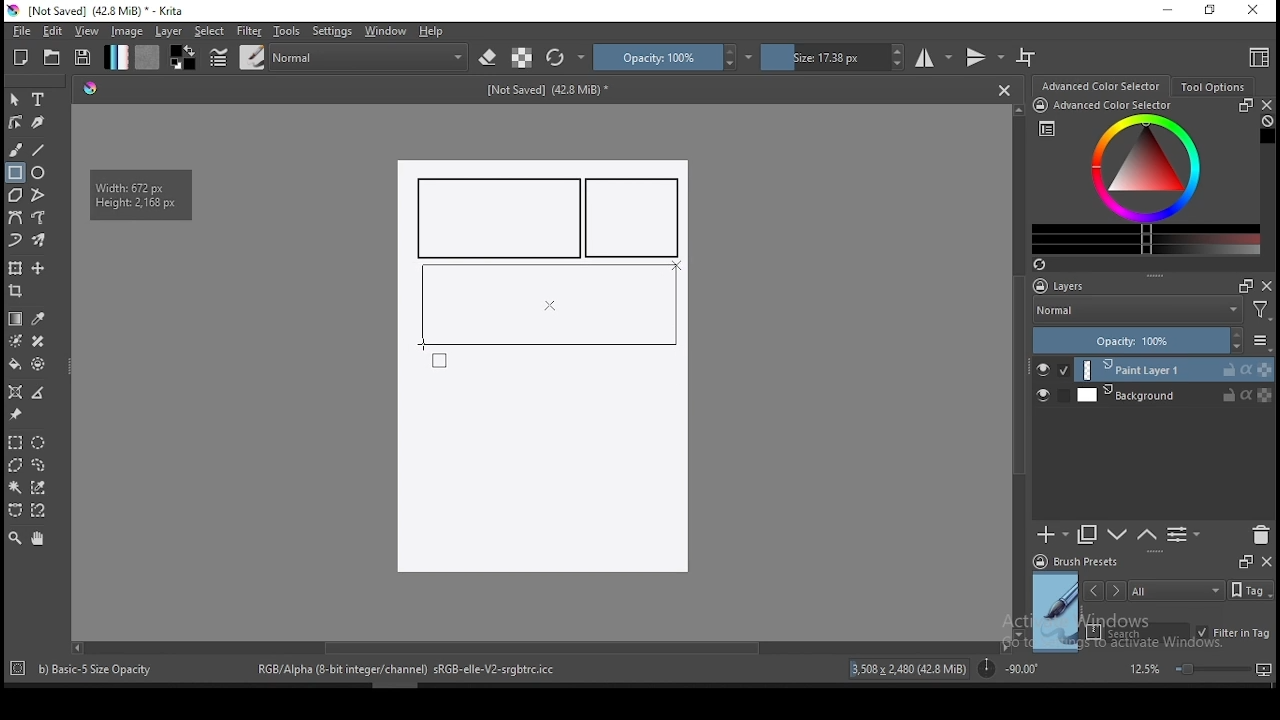 This screenshot has width=1280, height=720. I want to click on tools, so click(287, 31).